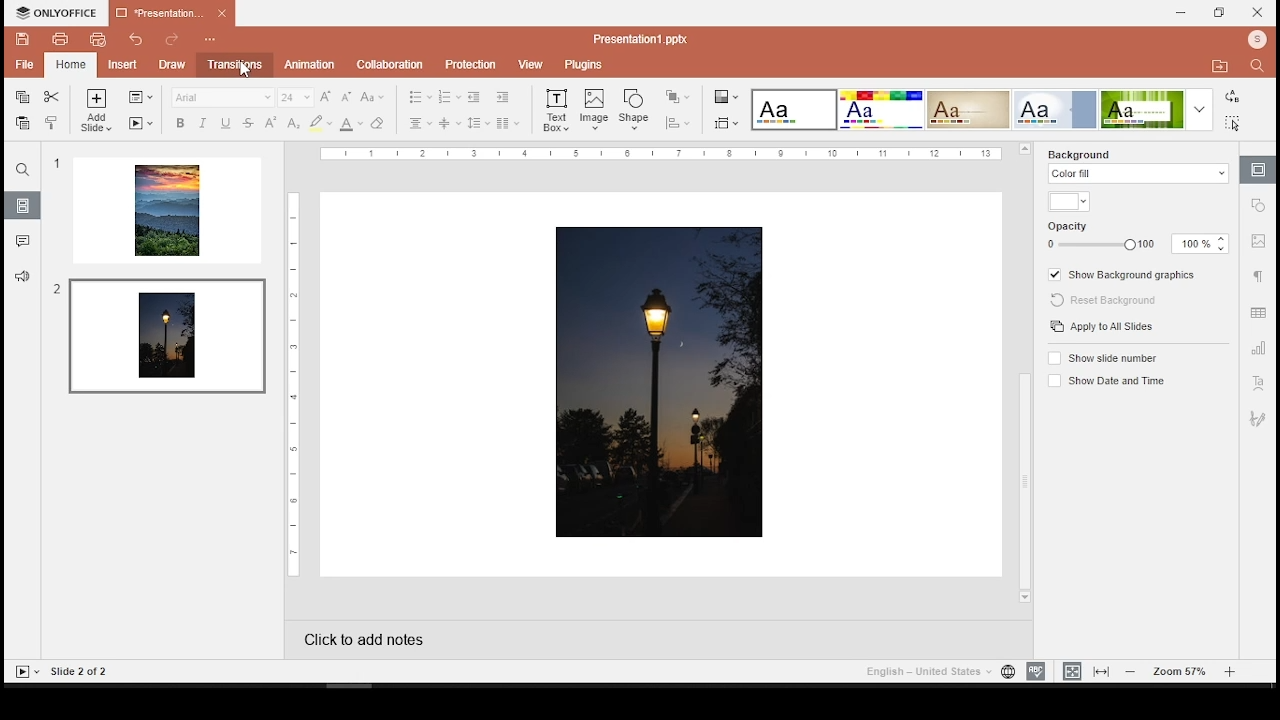  Describe the element at coordinates (448, 97) in the screenshot. I see `numbering` at that location.